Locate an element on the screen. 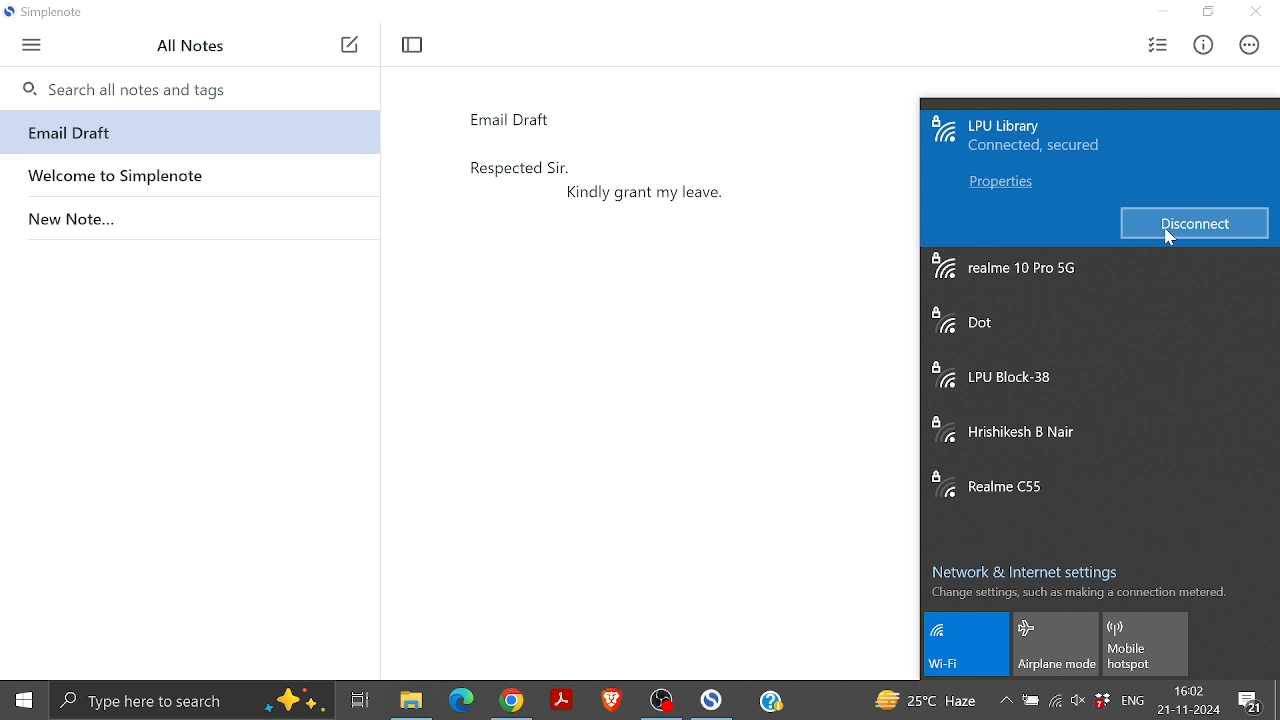 This screenshot has width=1280, height=720. Network and internet settings is located at coordinates (1034, 568).